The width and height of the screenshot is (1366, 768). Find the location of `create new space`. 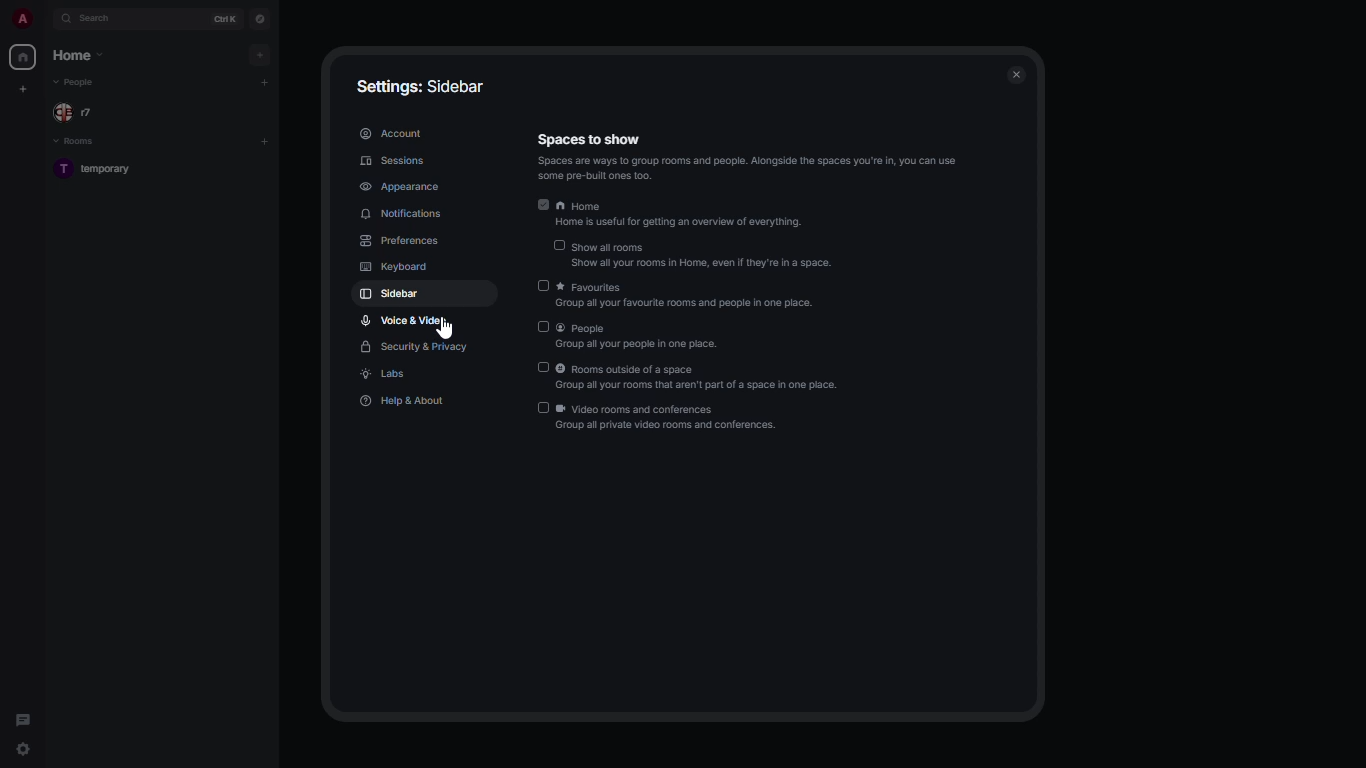

create new space is located at coordinates (22, 88).